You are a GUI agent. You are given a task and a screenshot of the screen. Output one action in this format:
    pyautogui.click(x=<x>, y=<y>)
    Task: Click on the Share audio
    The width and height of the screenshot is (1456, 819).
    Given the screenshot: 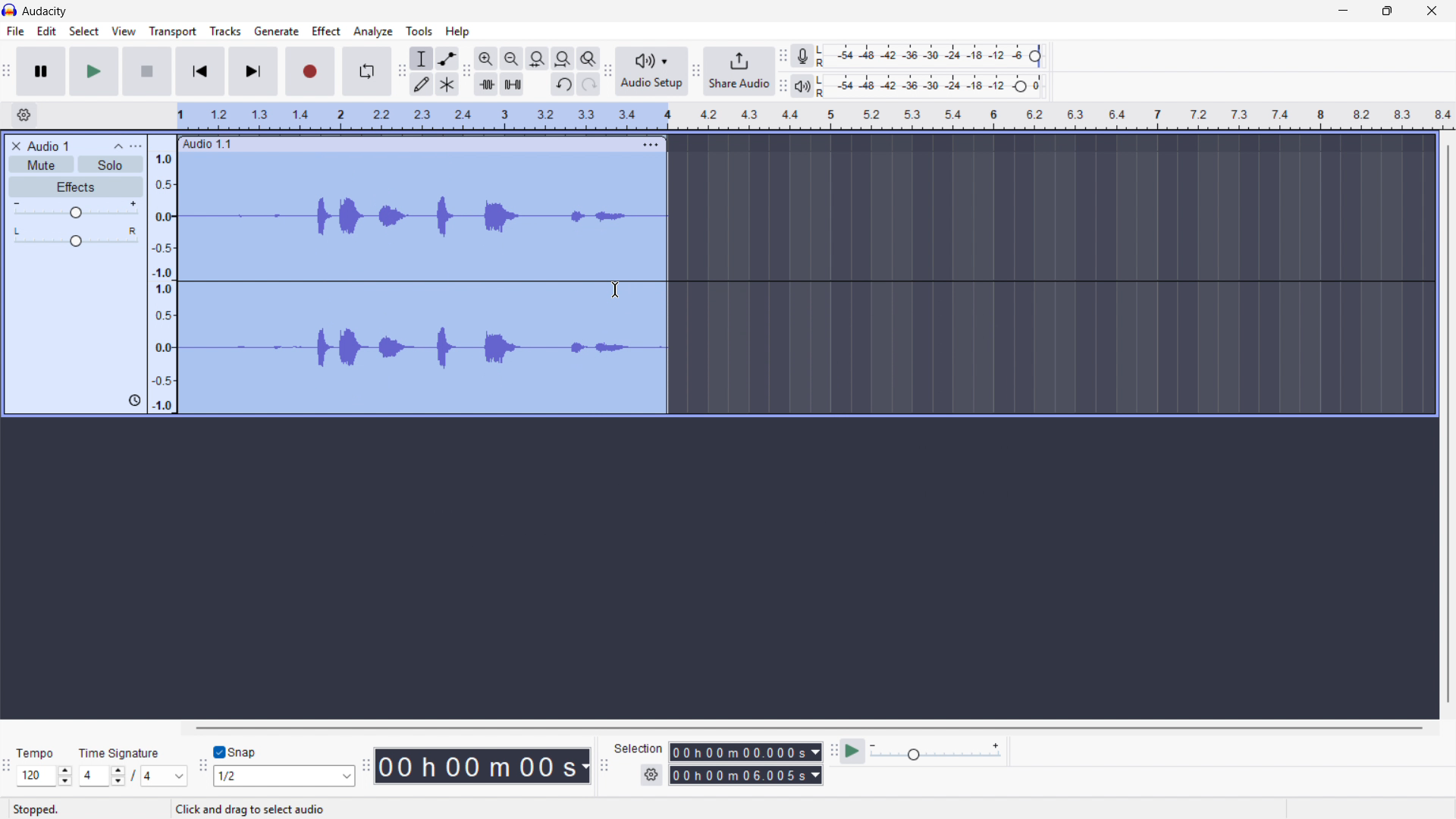 What is the action you would take?
    pyautogui.click(x=739, y=71)
    